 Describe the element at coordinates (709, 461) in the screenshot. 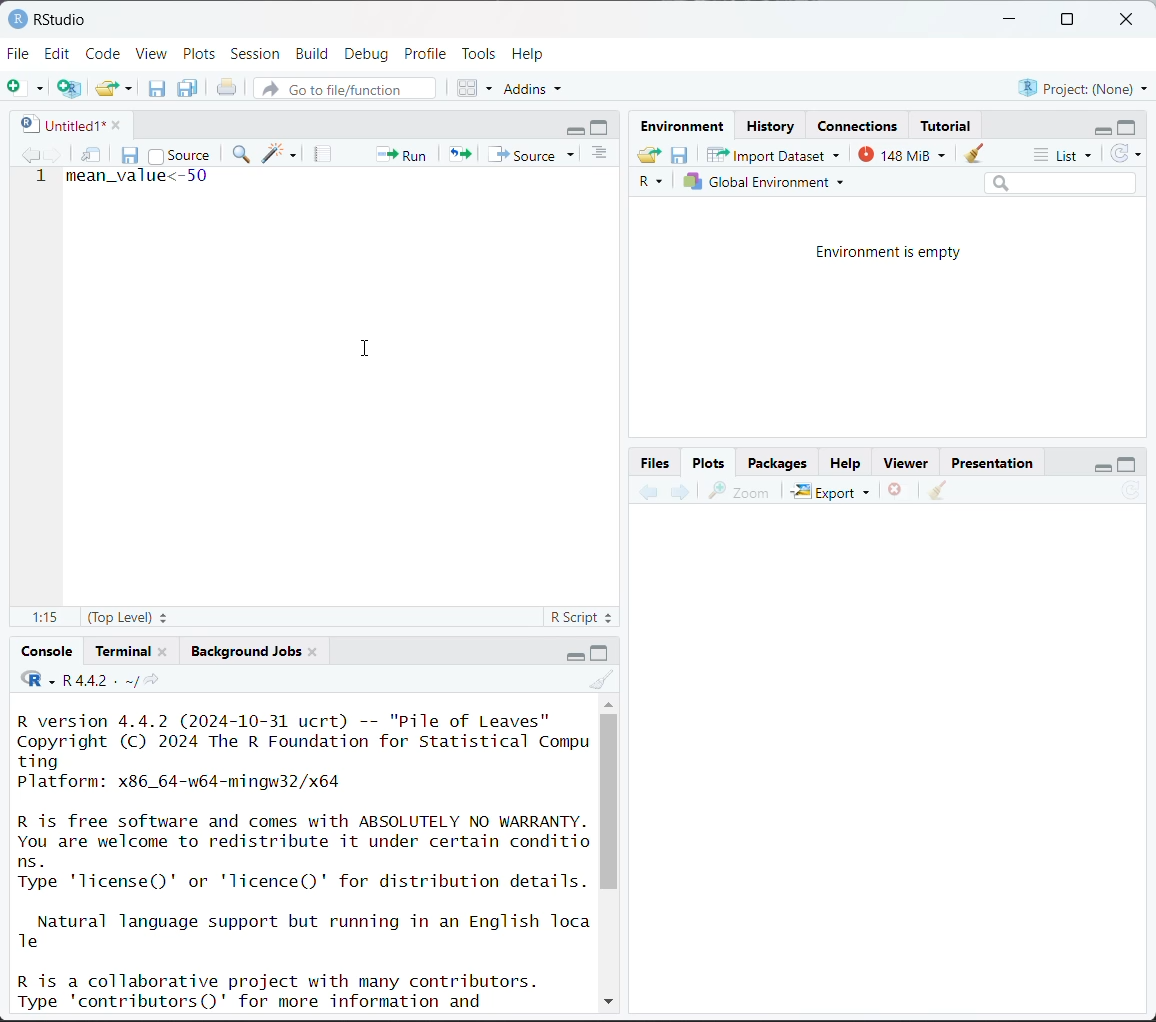

I see `Plots` at that location.